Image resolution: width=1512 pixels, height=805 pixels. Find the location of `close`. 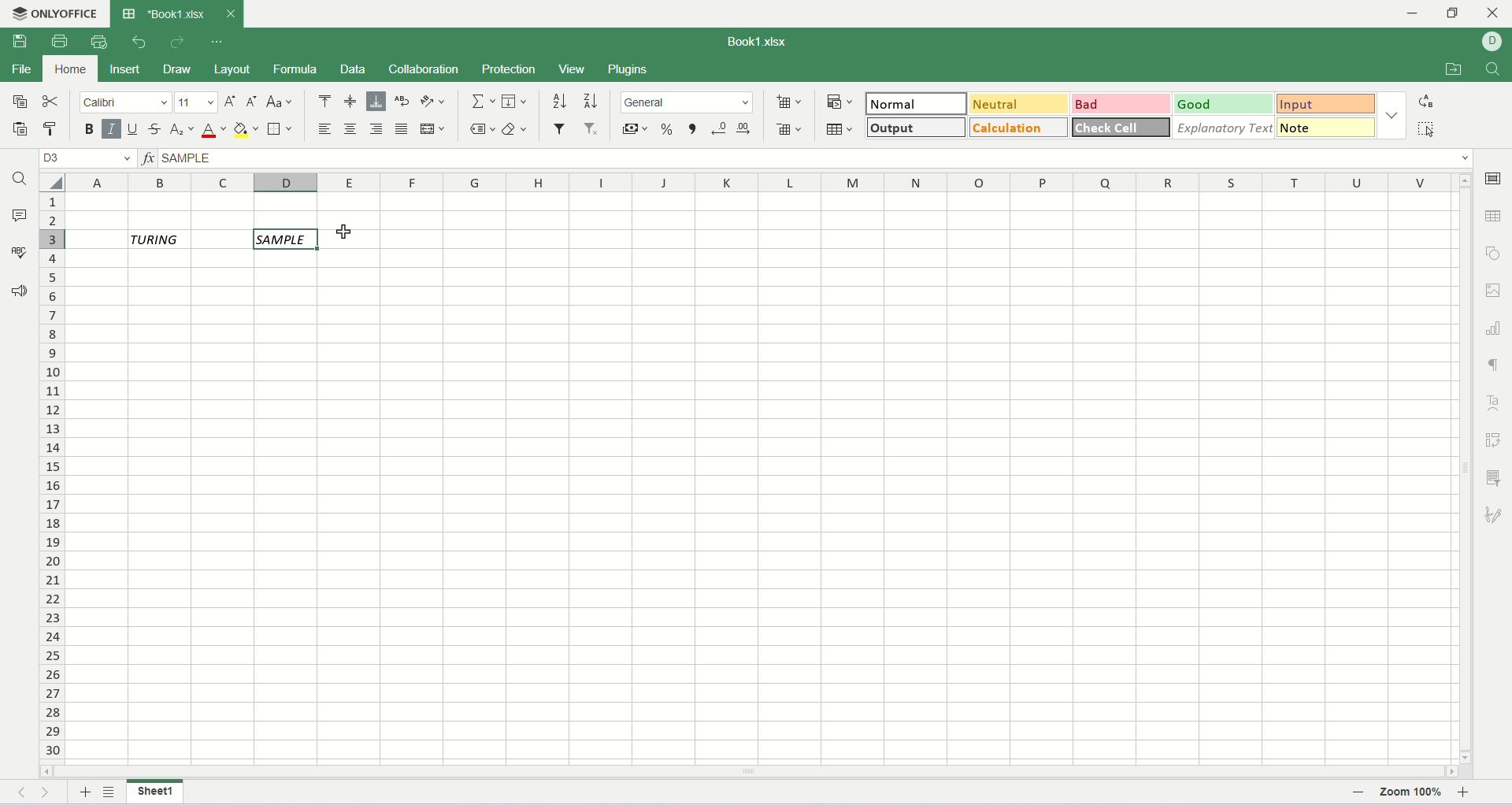

close is located at coordinates (1494, 16).